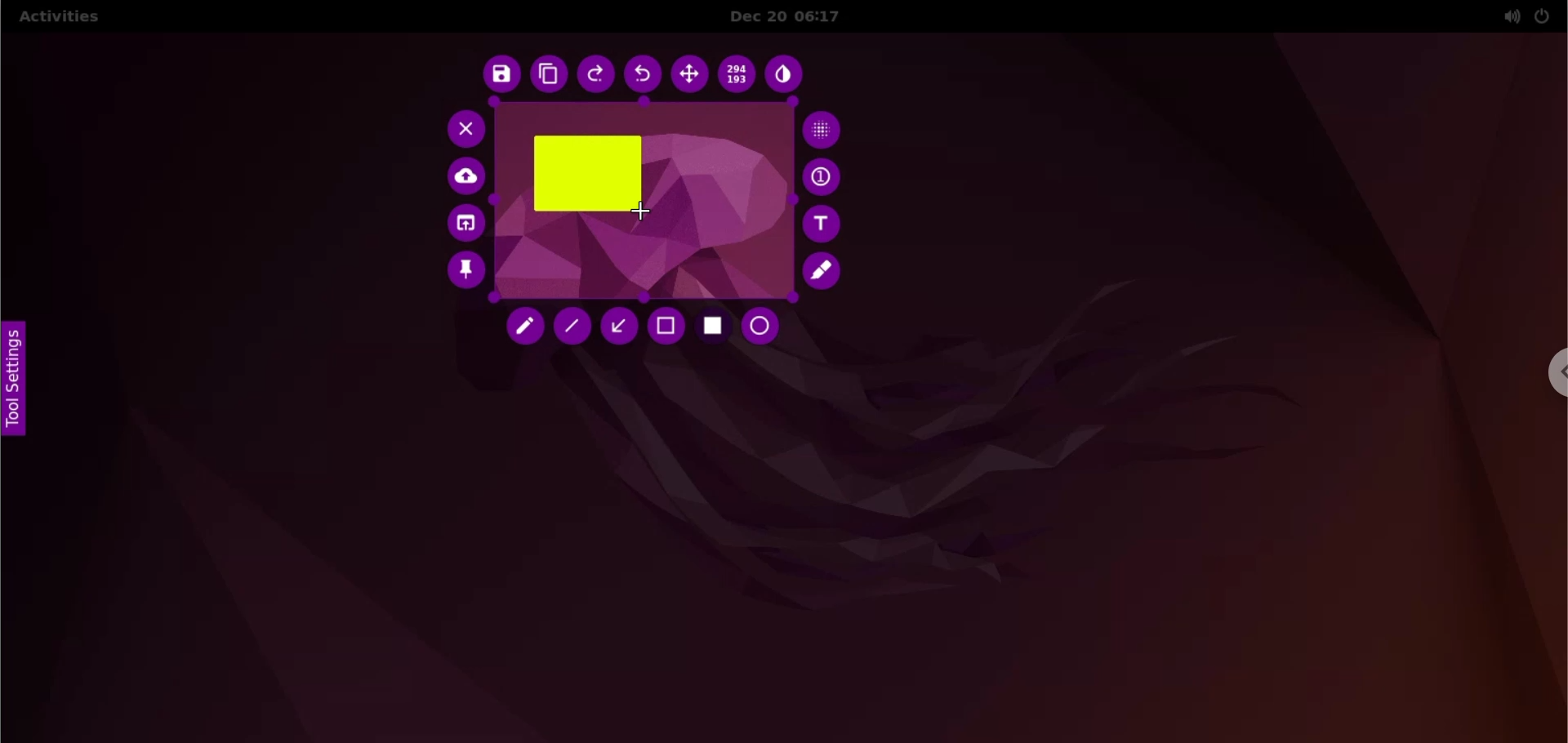 This screenshot has height=743, width=1568. What do you see at coordinates (618, 326) in the screenshot?
I see `arrow tool` at bounding box center [618, 326].